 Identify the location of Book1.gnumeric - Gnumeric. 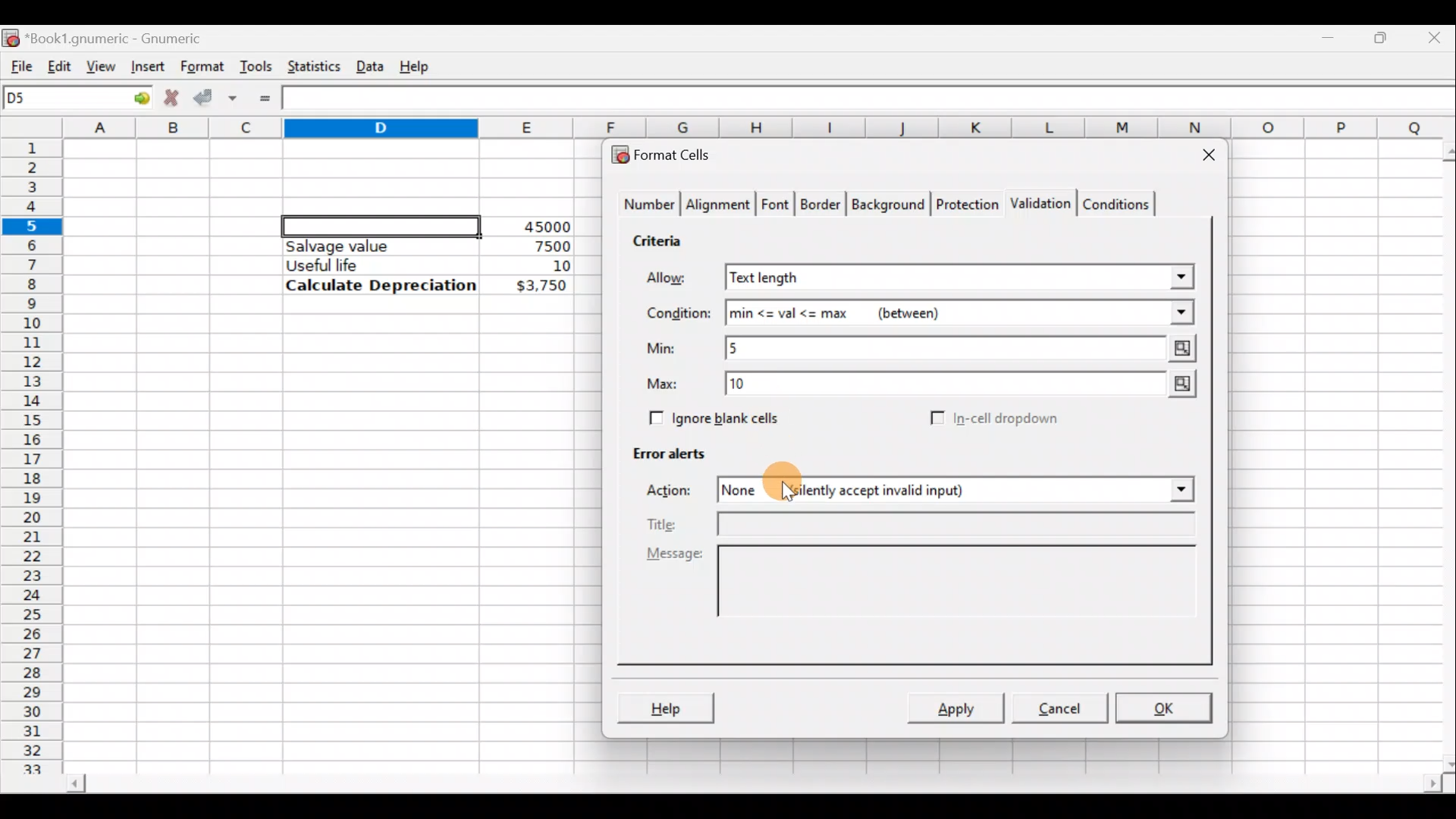
(124, 37).